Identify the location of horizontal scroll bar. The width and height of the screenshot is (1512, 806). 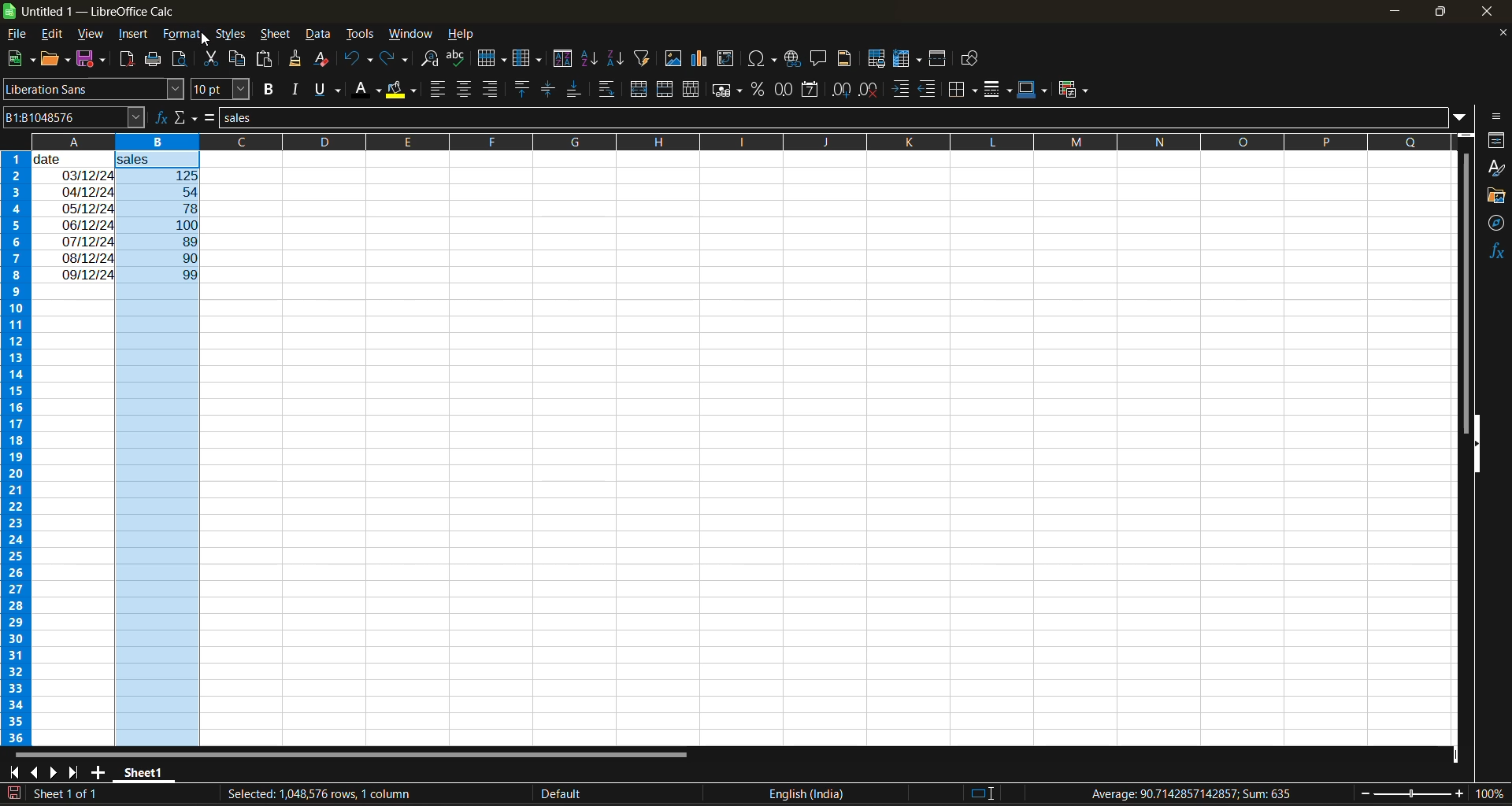
(357, 753).